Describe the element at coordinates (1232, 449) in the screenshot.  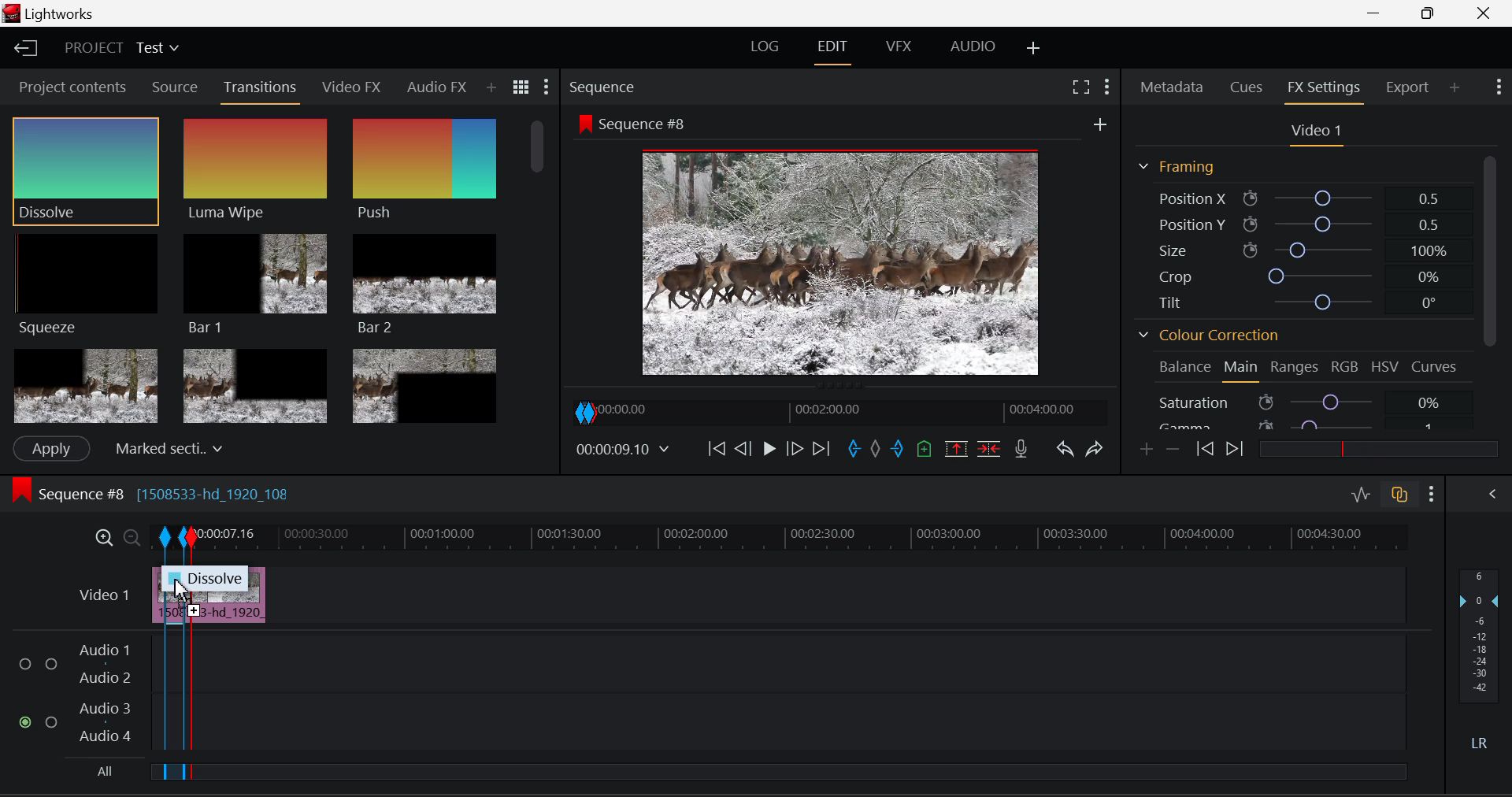
I see `Next keyframe` at that location.